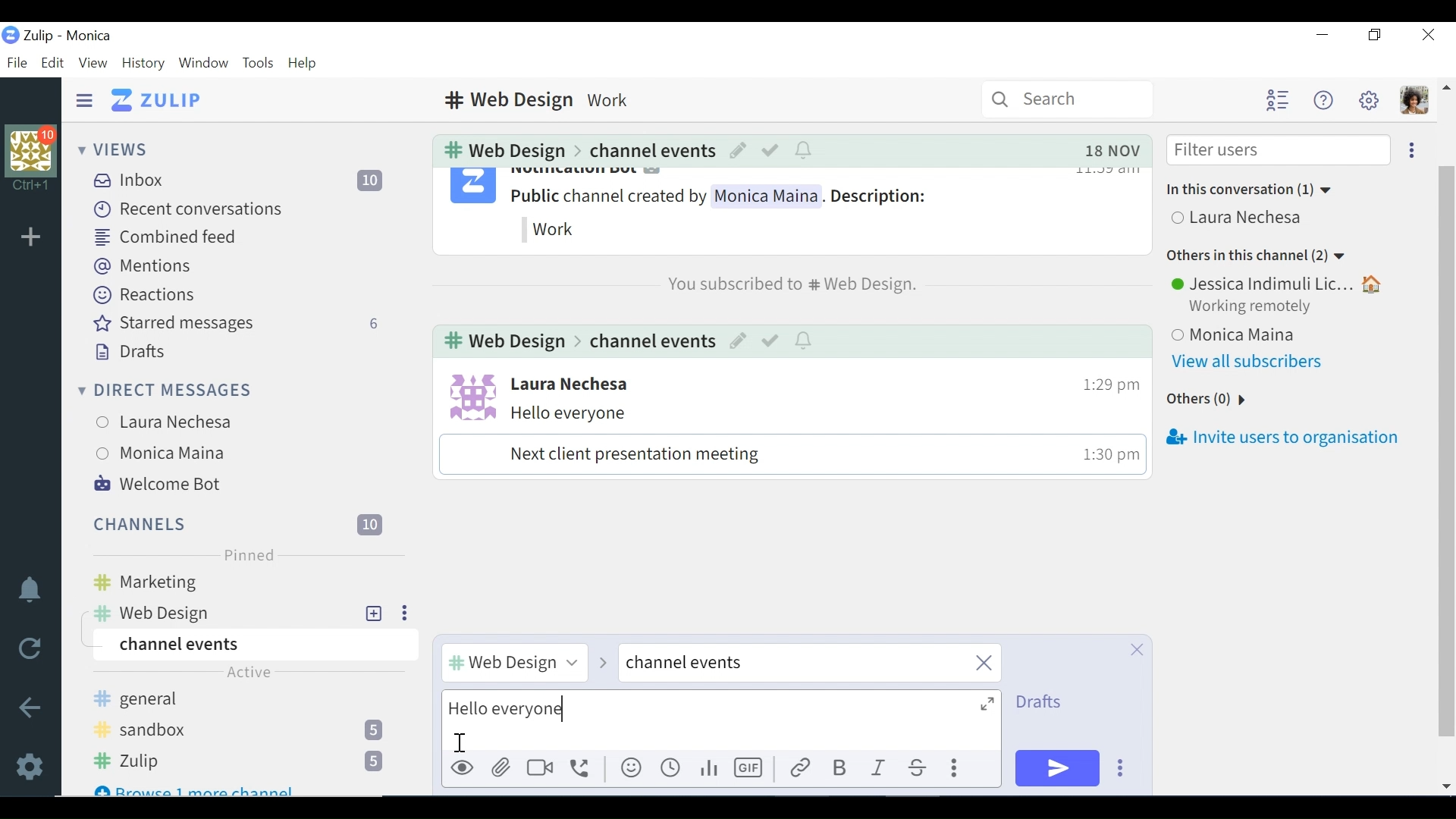 Image resolution: width=1456 pixels, height=819 pixels. What do you see at coordinates (1254, 362) in the screenshot?
I see `View all subscribers` at bounding box center [1254, 362].